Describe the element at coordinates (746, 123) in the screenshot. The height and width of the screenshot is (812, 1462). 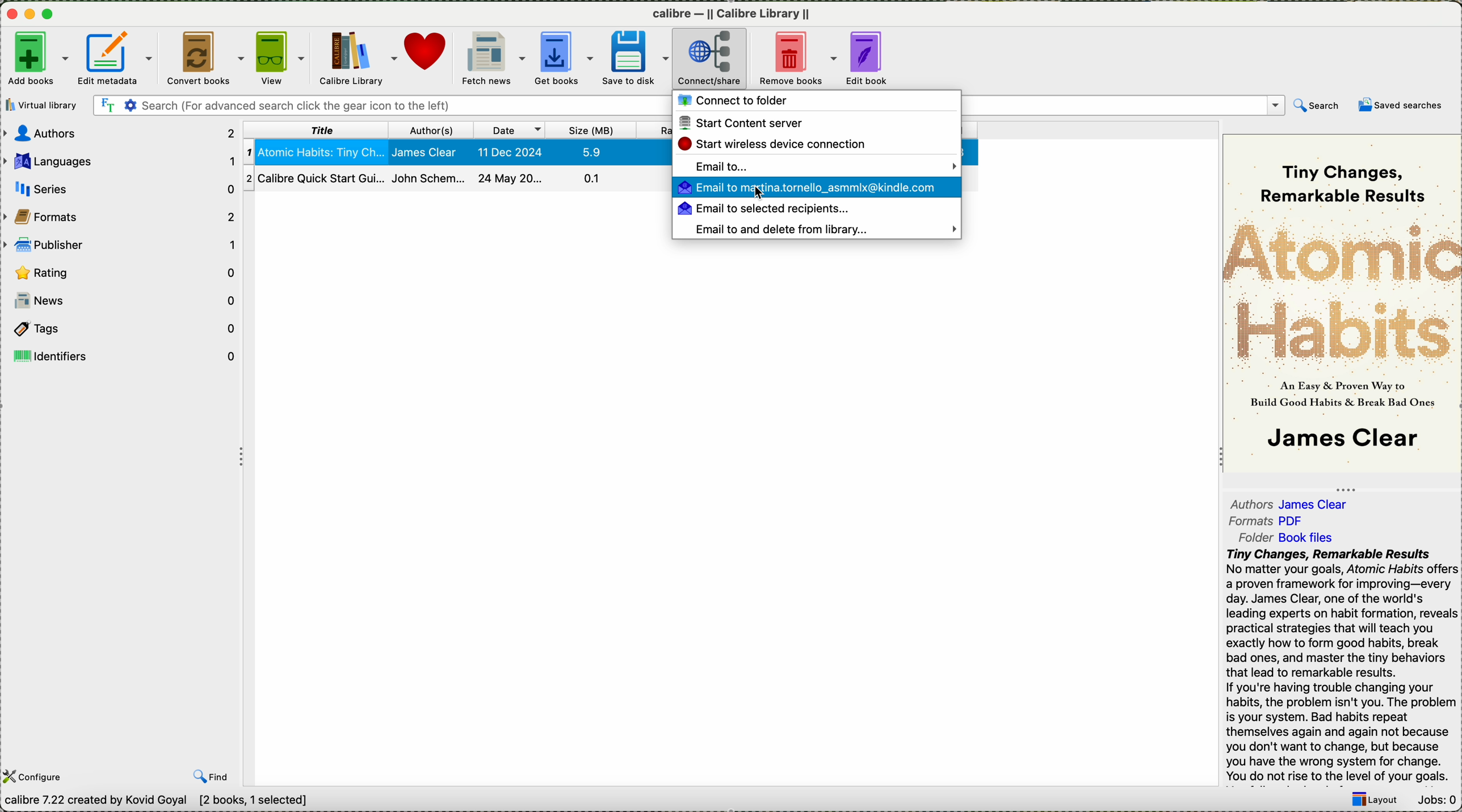
I see `start content server` at that location.